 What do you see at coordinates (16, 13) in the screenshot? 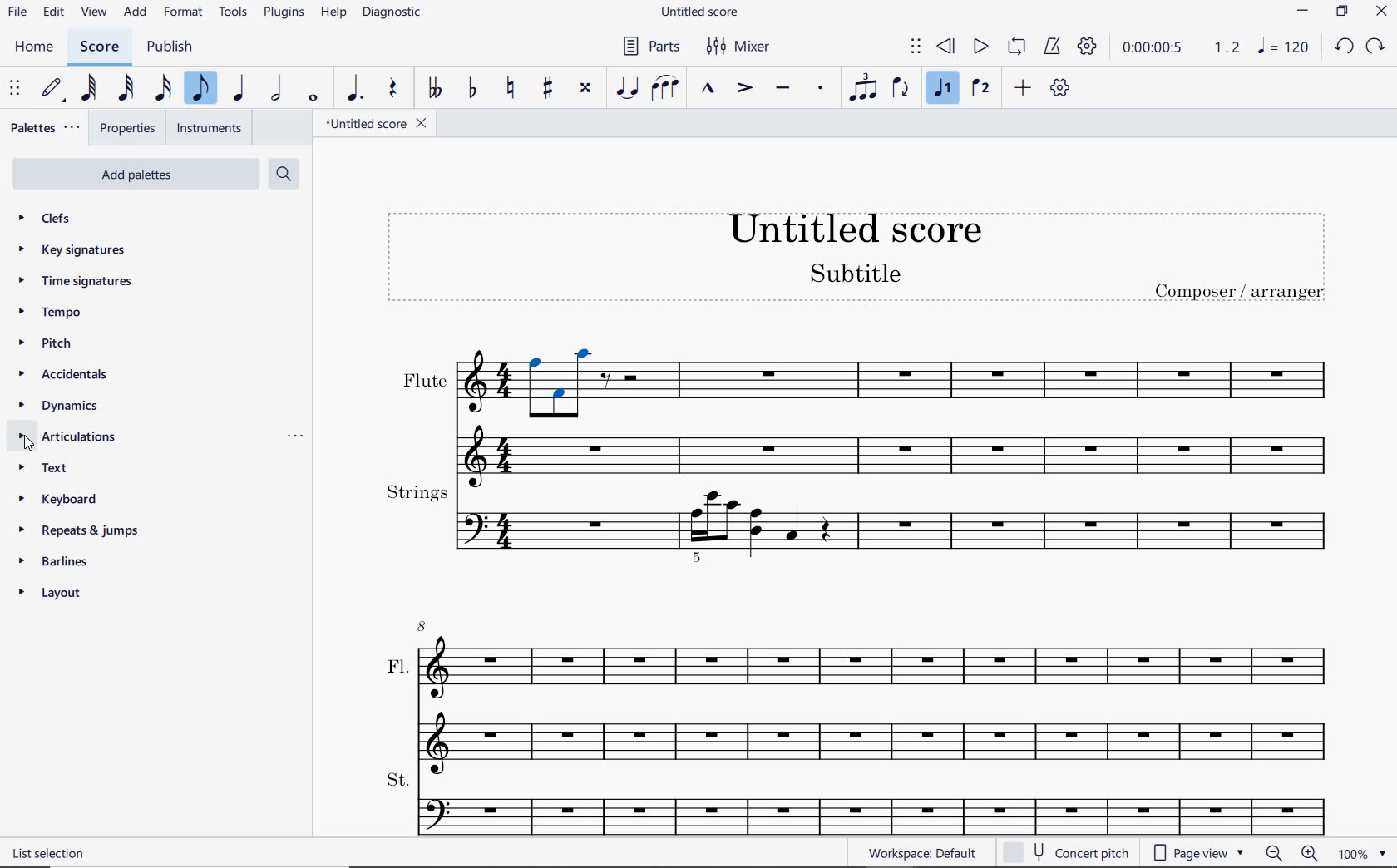
I see `file` at bounding box center [16, 13].